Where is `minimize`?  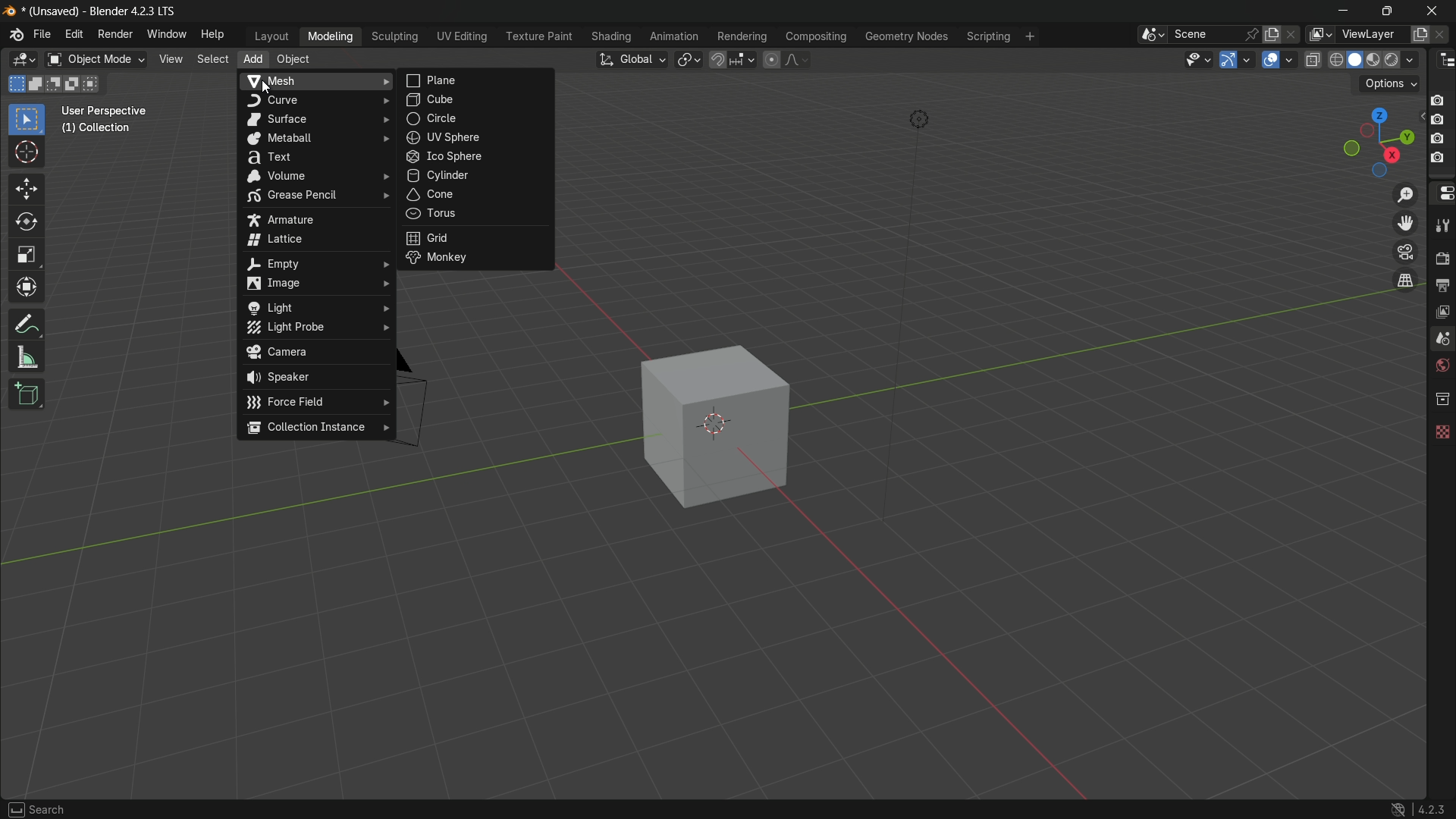
minimize is located at coordinates (1343, 12).